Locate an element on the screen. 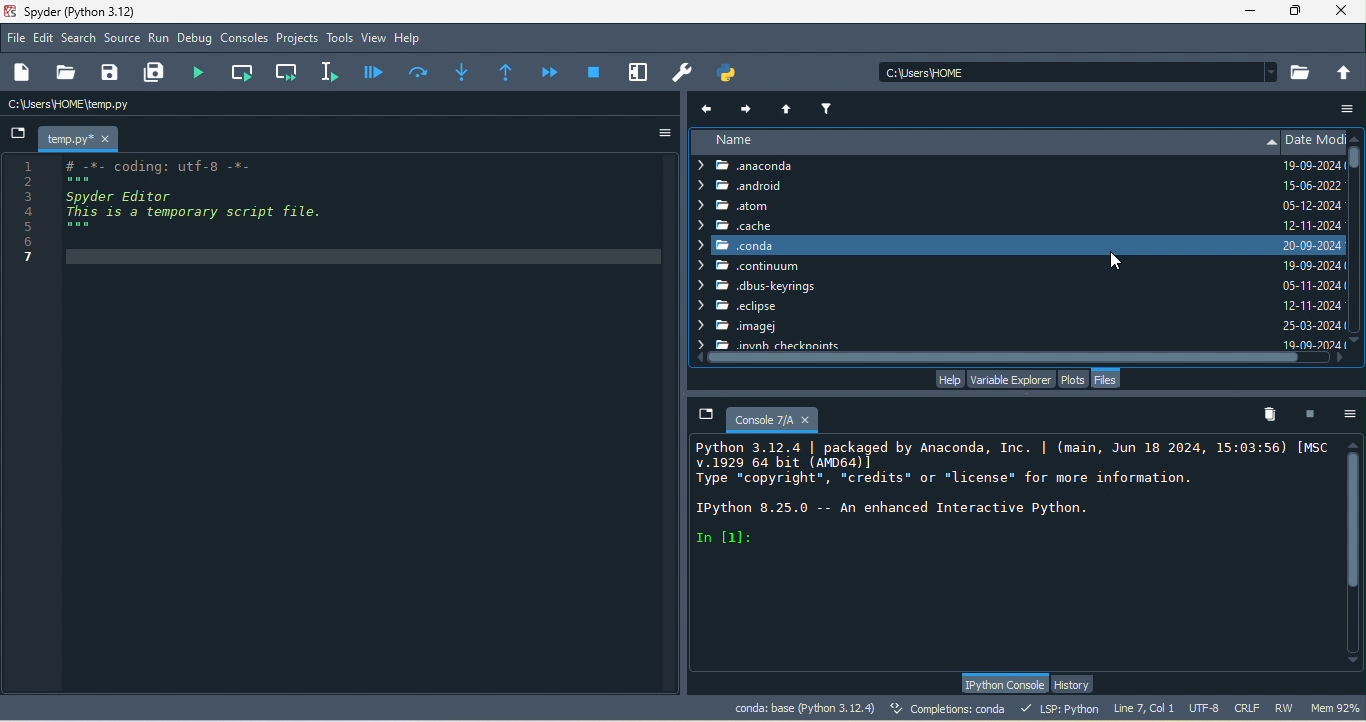  search is located at coordinates (80, 38).